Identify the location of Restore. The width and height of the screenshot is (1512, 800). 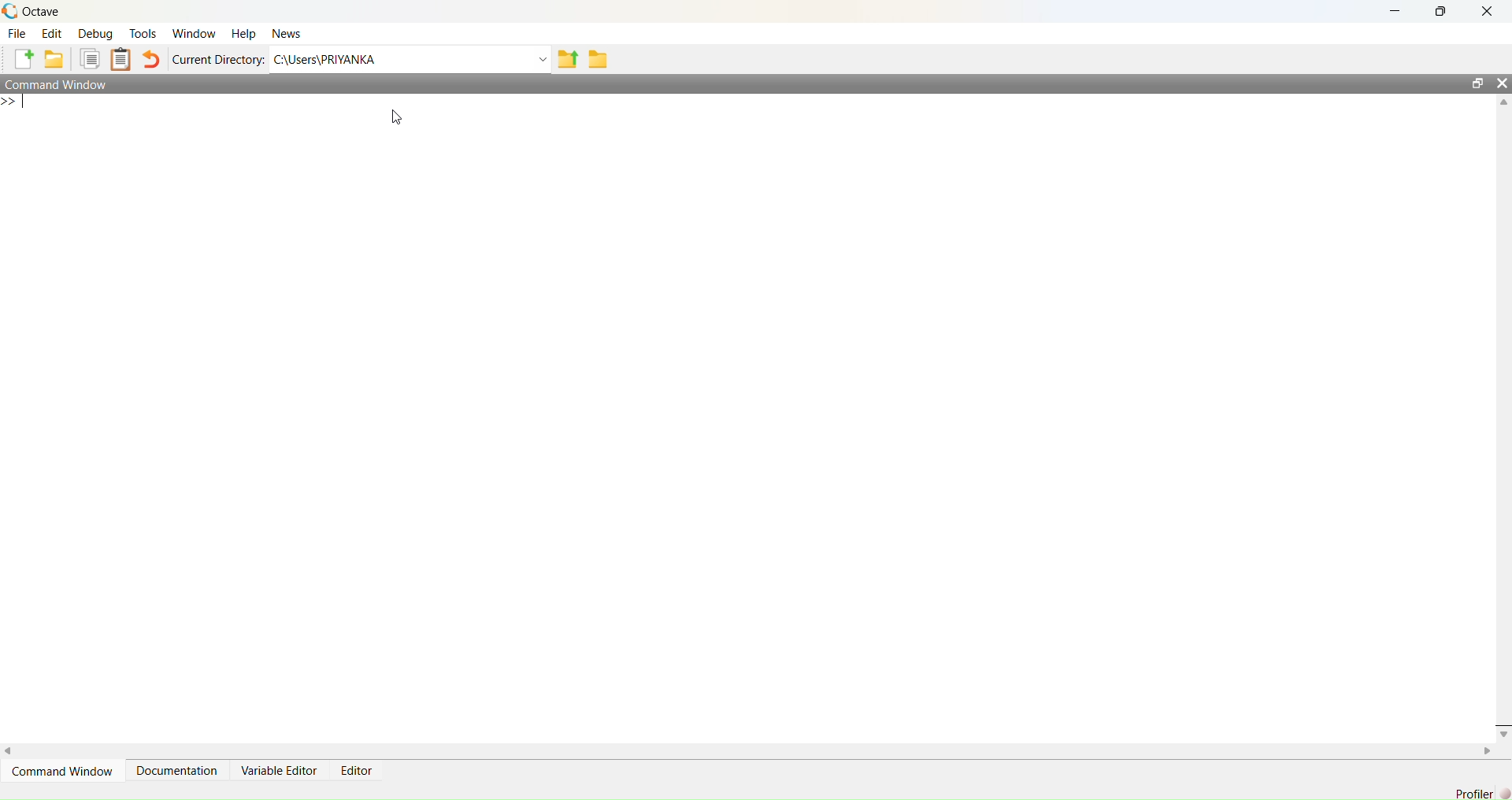
(1479, 83).